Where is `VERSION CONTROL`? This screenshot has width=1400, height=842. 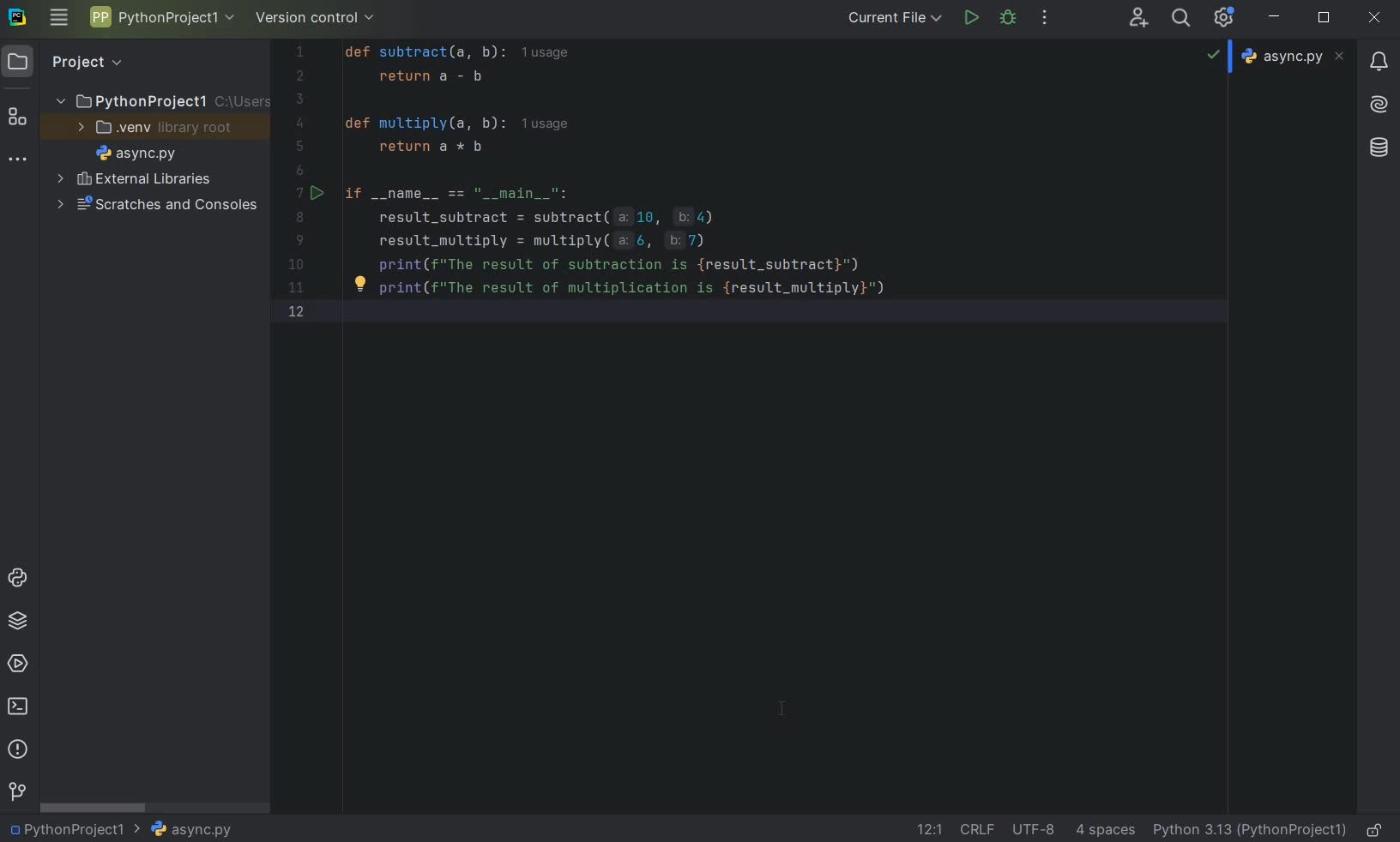
VERSION CONTROL is located at coordinates (316, 21).